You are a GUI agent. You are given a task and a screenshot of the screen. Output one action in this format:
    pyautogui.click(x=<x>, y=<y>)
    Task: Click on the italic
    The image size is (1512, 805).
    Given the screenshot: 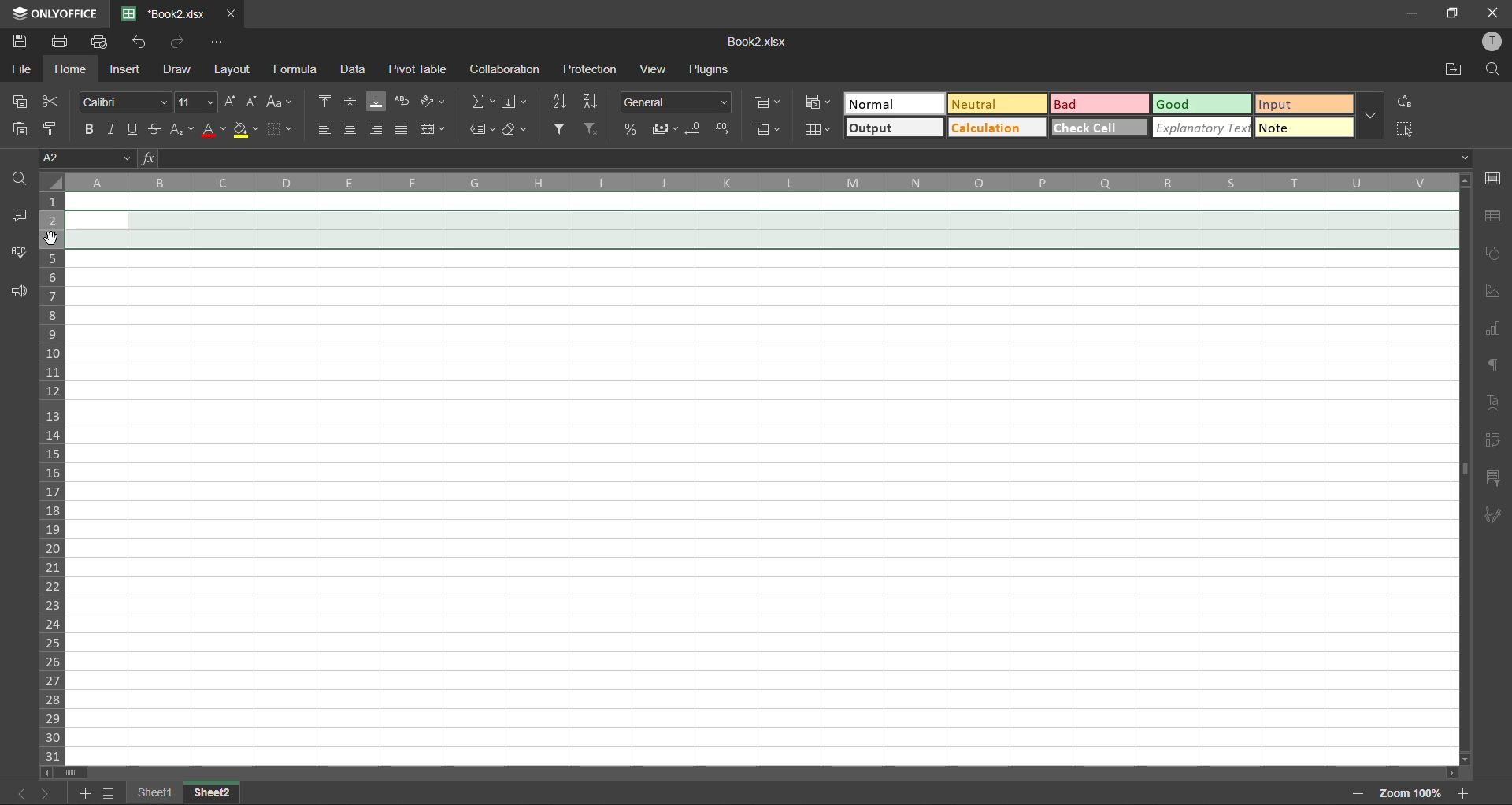 What is the action you would take?
    pyautogui.click(x=112, y=127)
    